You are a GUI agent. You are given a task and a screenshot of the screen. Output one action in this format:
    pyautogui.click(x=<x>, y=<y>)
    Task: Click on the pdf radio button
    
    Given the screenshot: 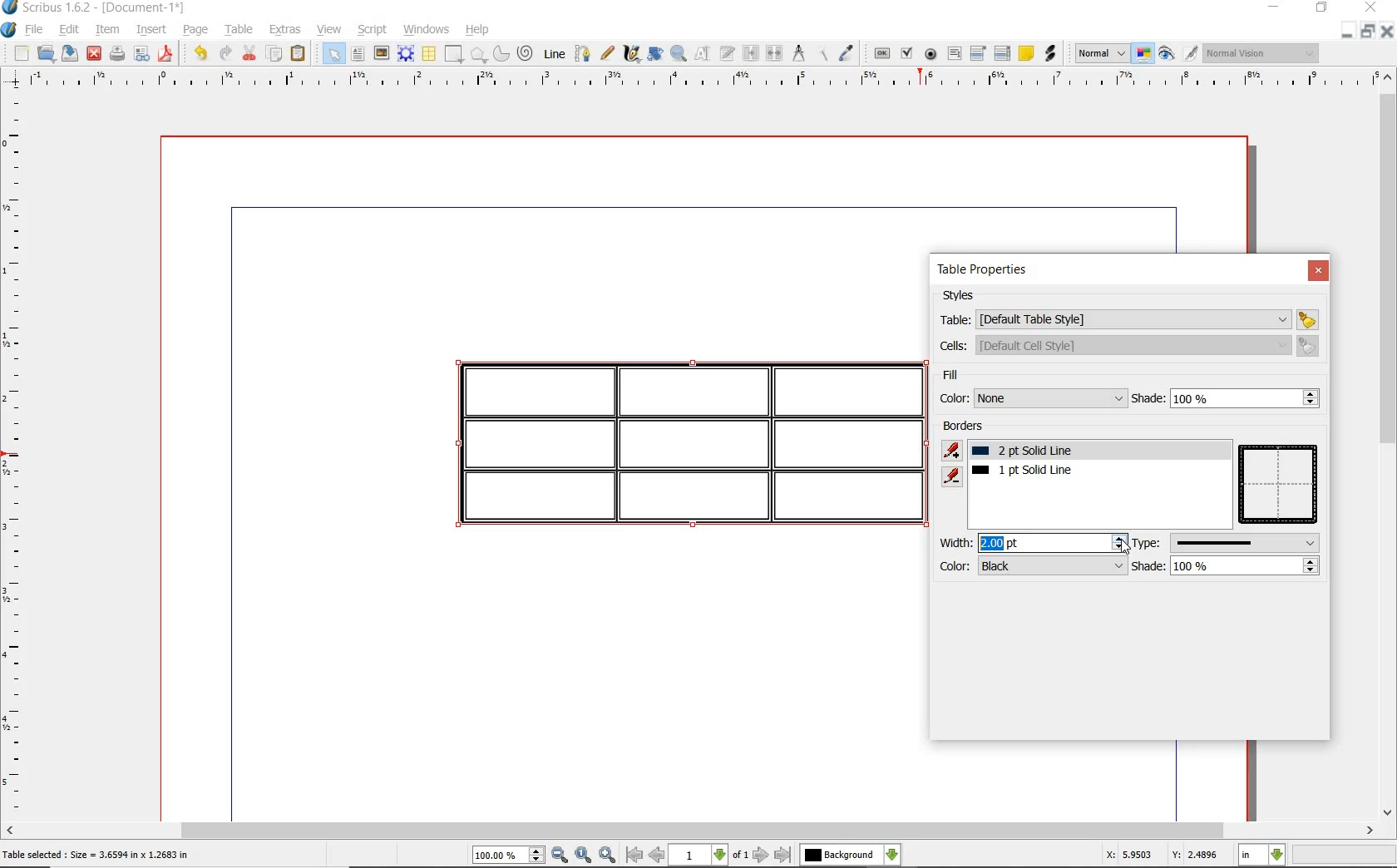 What is the action you would take?
    pyautogui.click(x=931, y=55)
    